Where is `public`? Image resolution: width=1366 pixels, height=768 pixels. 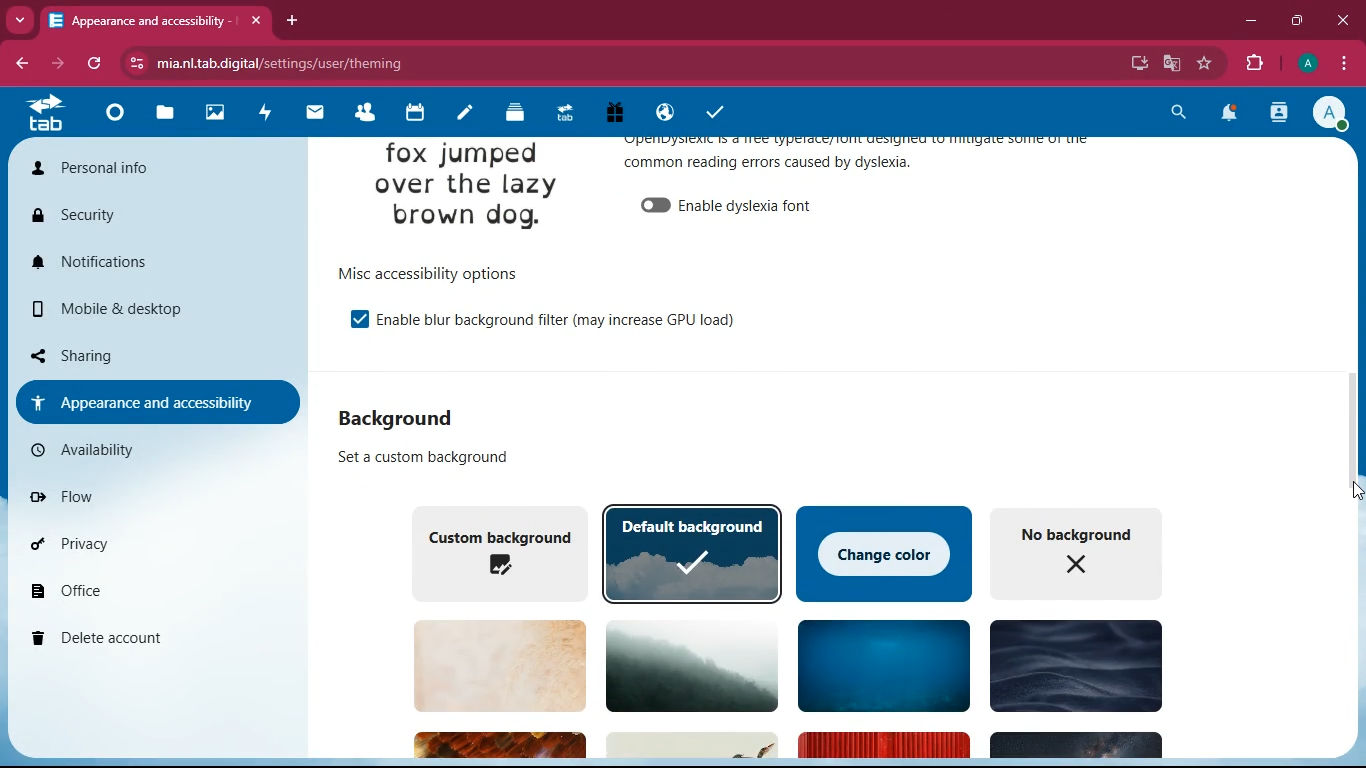
public is located at coordinates (663, 116).